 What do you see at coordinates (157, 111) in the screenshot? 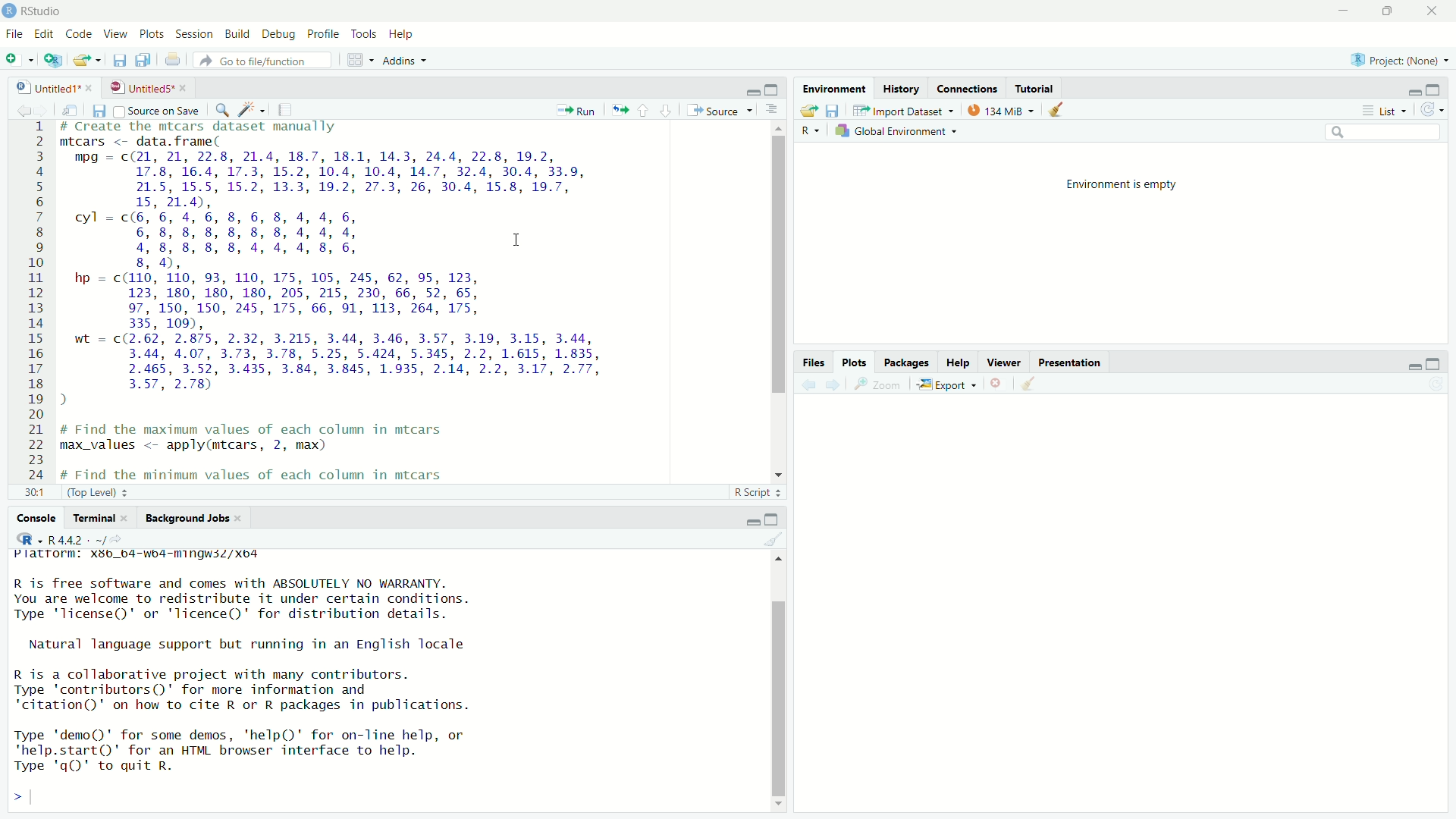
I see `| Source on Save` at bounding box center [157, 111].